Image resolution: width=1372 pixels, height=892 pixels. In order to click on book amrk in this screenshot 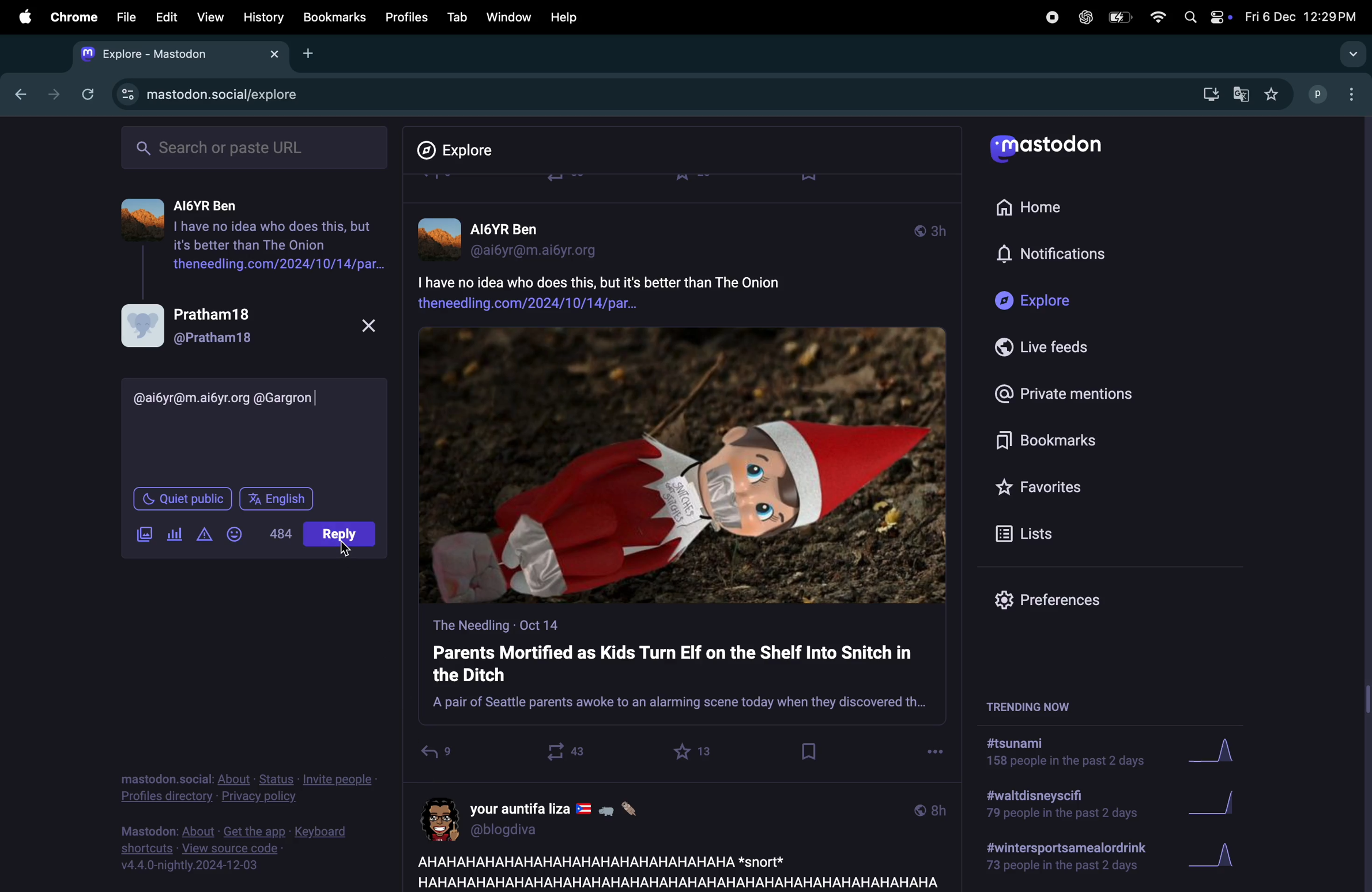, I will do `click(811, 751)`.